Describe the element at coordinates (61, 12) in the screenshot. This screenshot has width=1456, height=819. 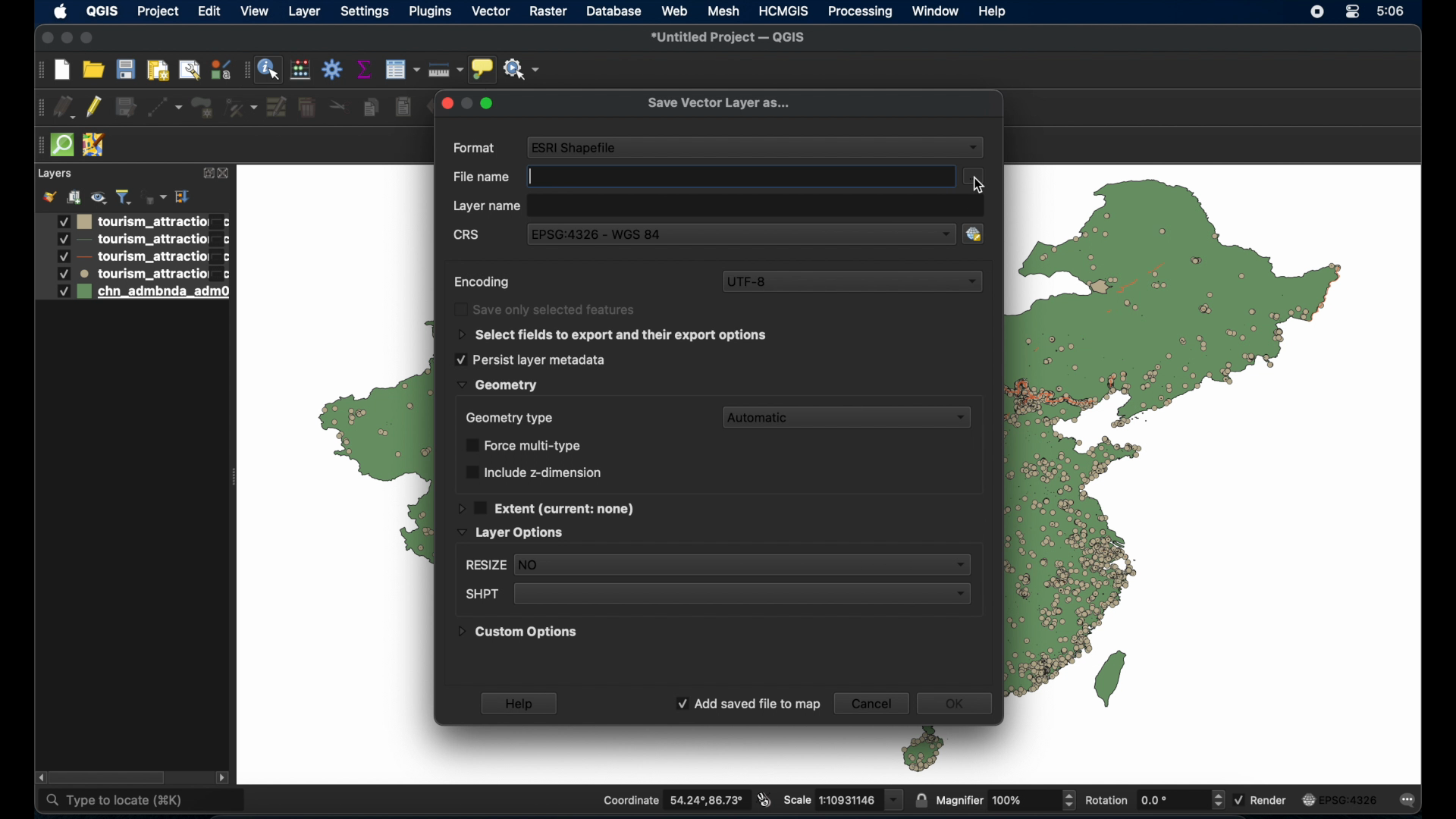
I see `apple icon` at that location.